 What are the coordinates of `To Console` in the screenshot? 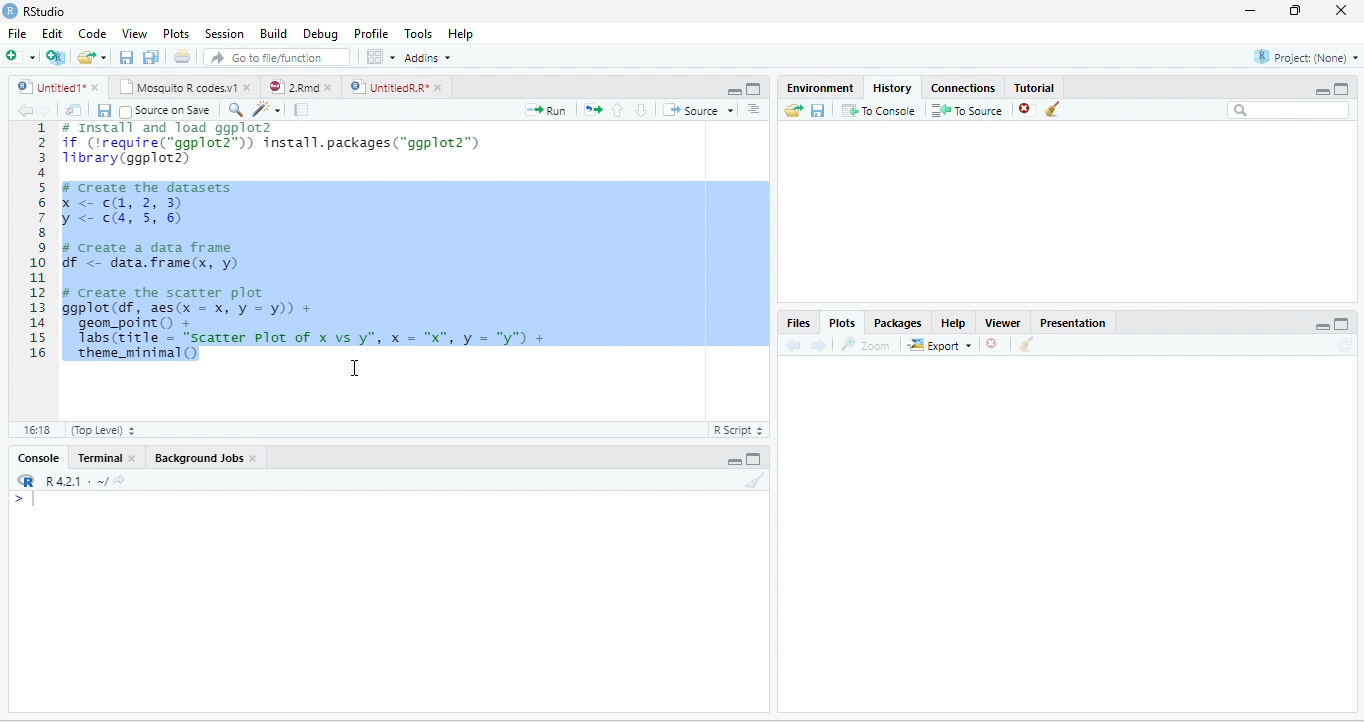 It's located at (879, 111).